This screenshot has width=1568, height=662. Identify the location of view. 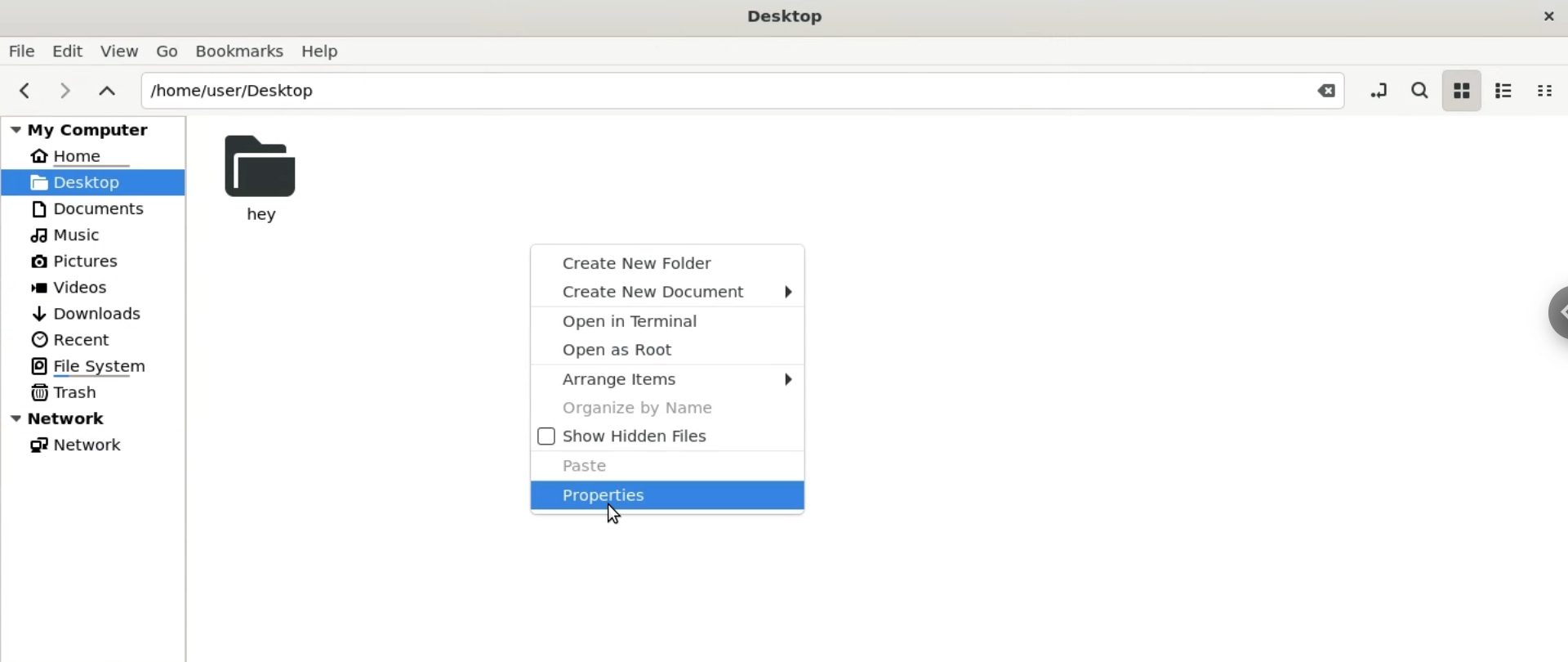
(122, 49).